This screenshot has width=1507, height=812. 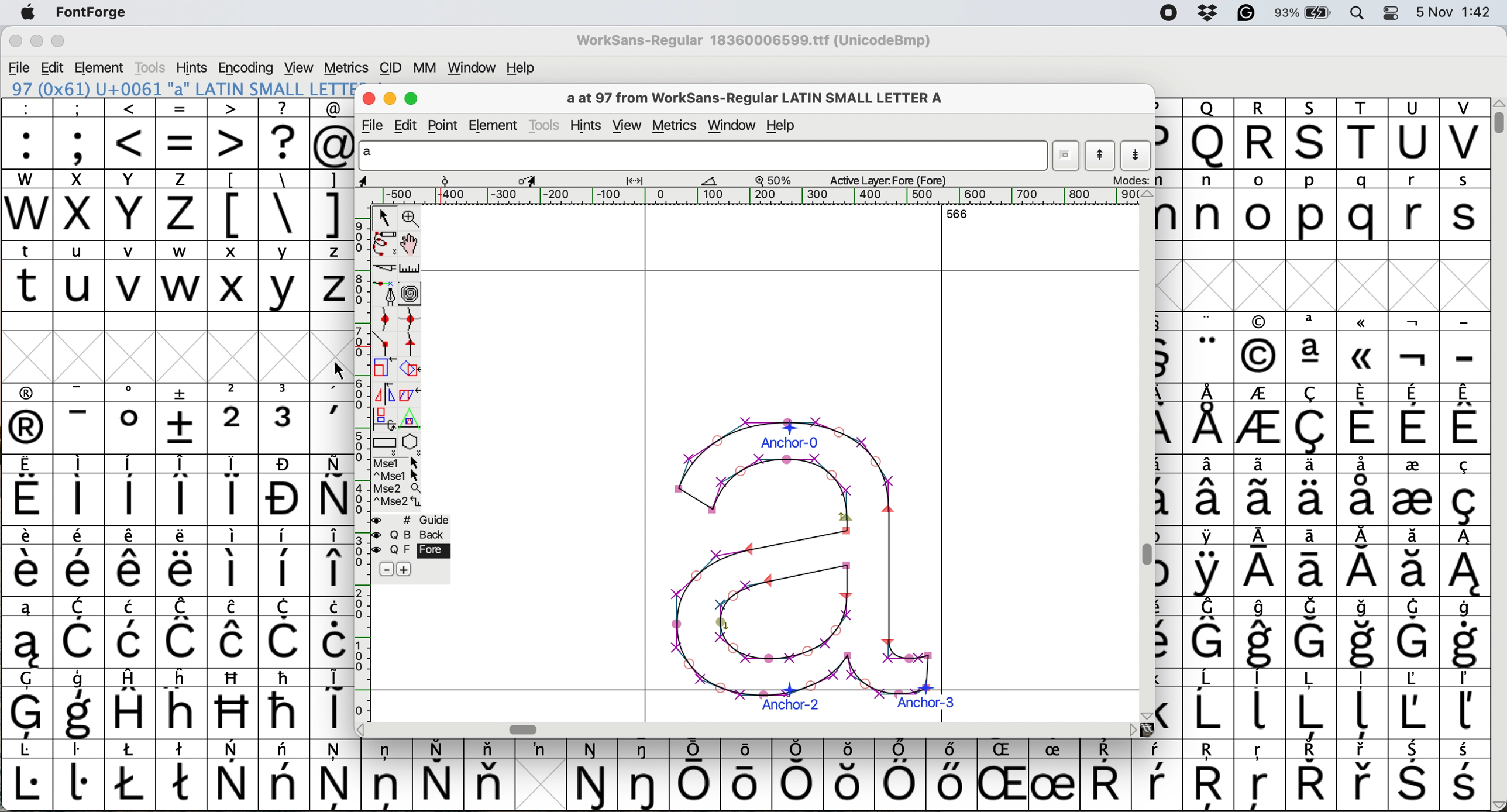 I want to click on symbol, so click(x=749, y=773).